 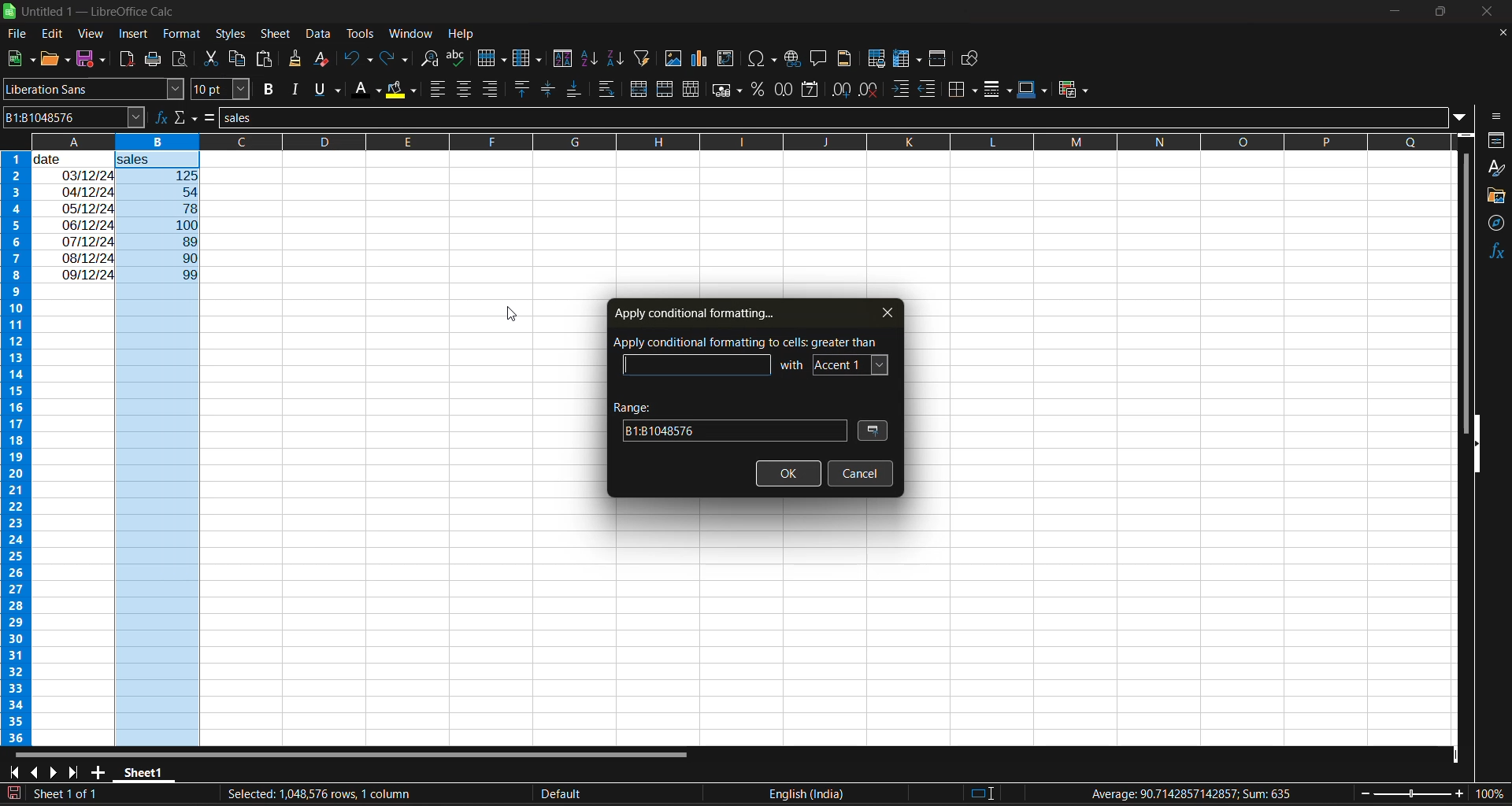 What do you see at coordinates (859, 473) in the screenshot?
I see `cancel` at bounding box center [859, 473].